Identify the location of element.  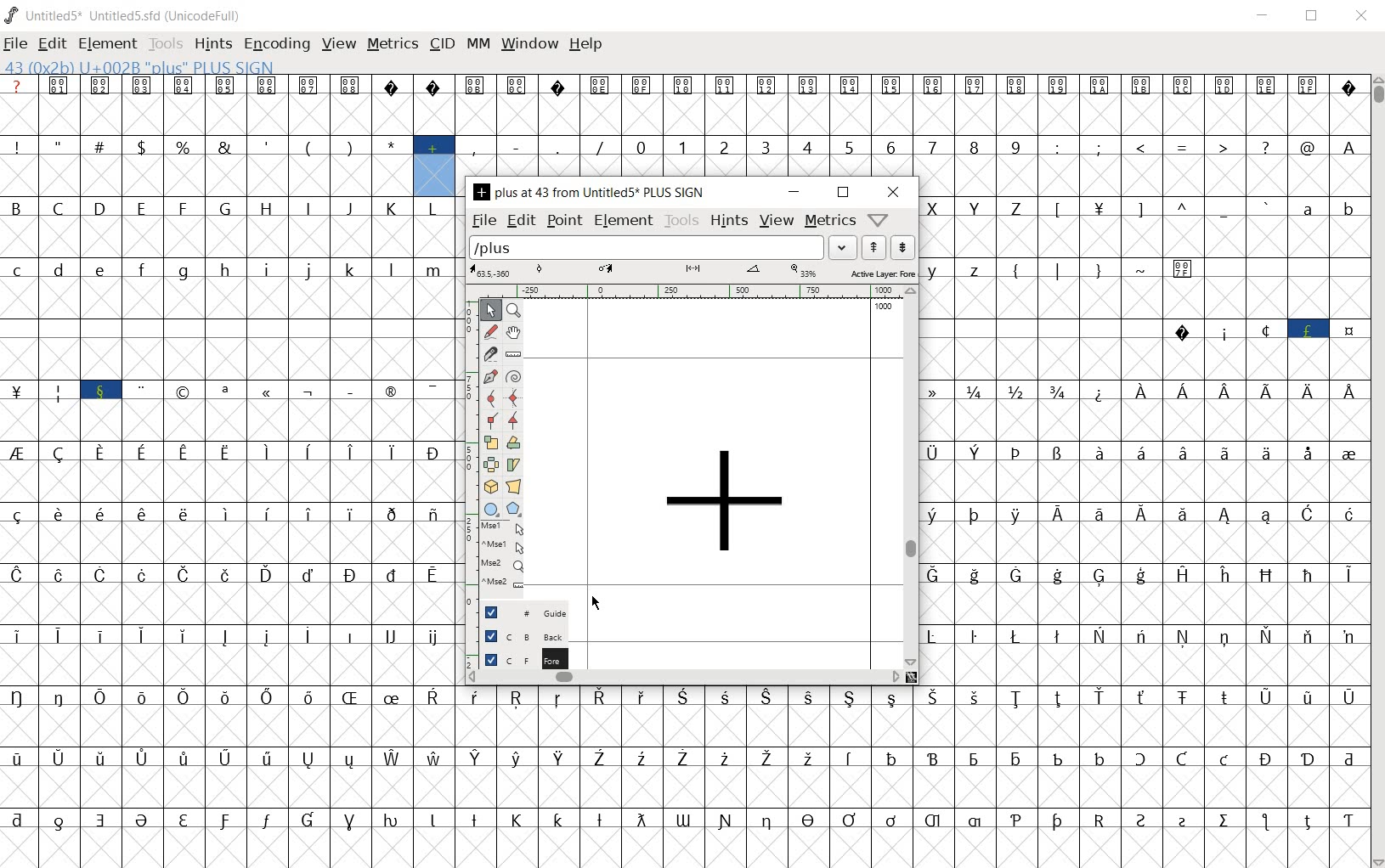
(622, 219).